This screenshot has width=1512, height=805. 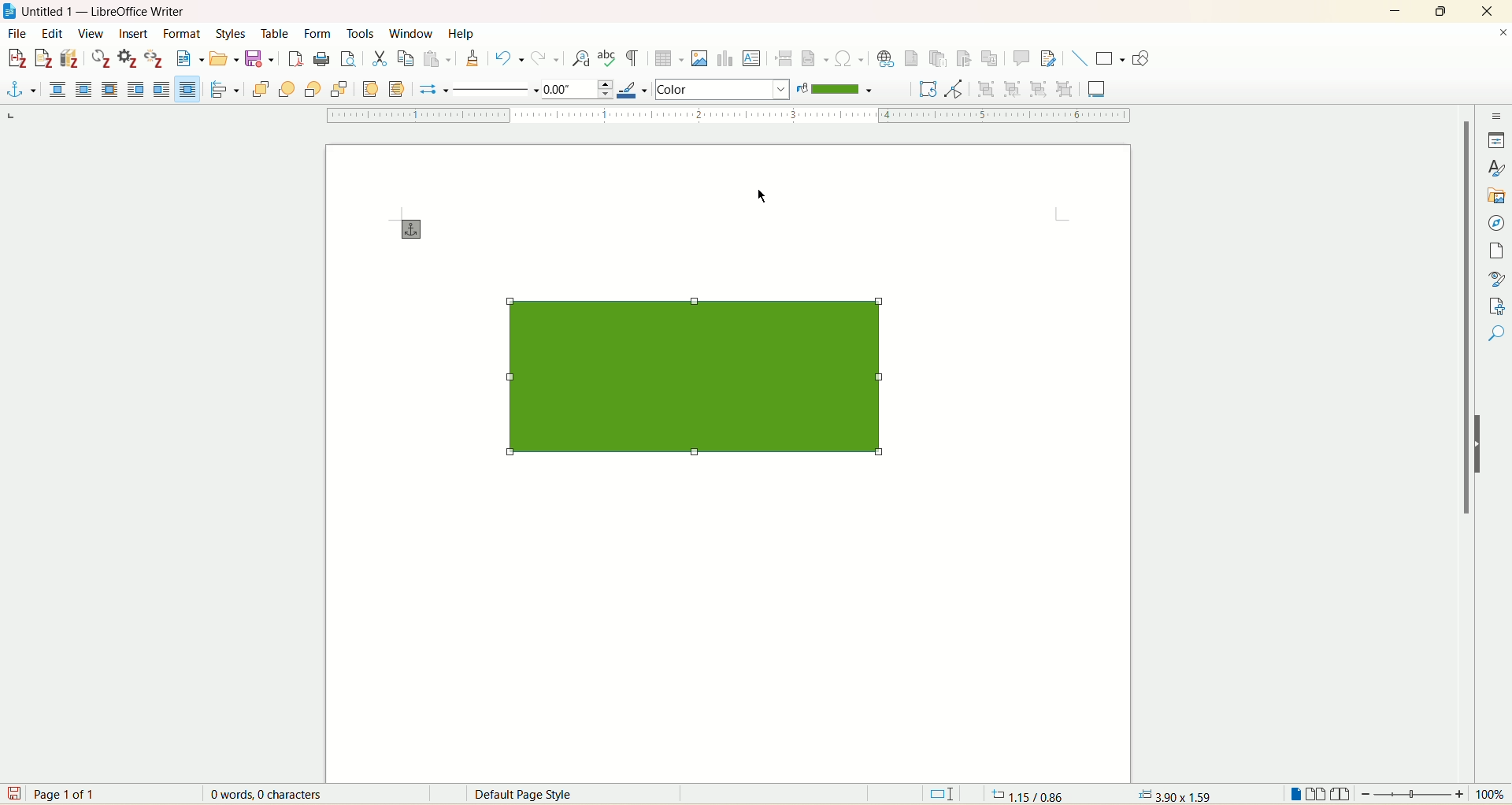 I want to click on help, so click(x=460, y=34).